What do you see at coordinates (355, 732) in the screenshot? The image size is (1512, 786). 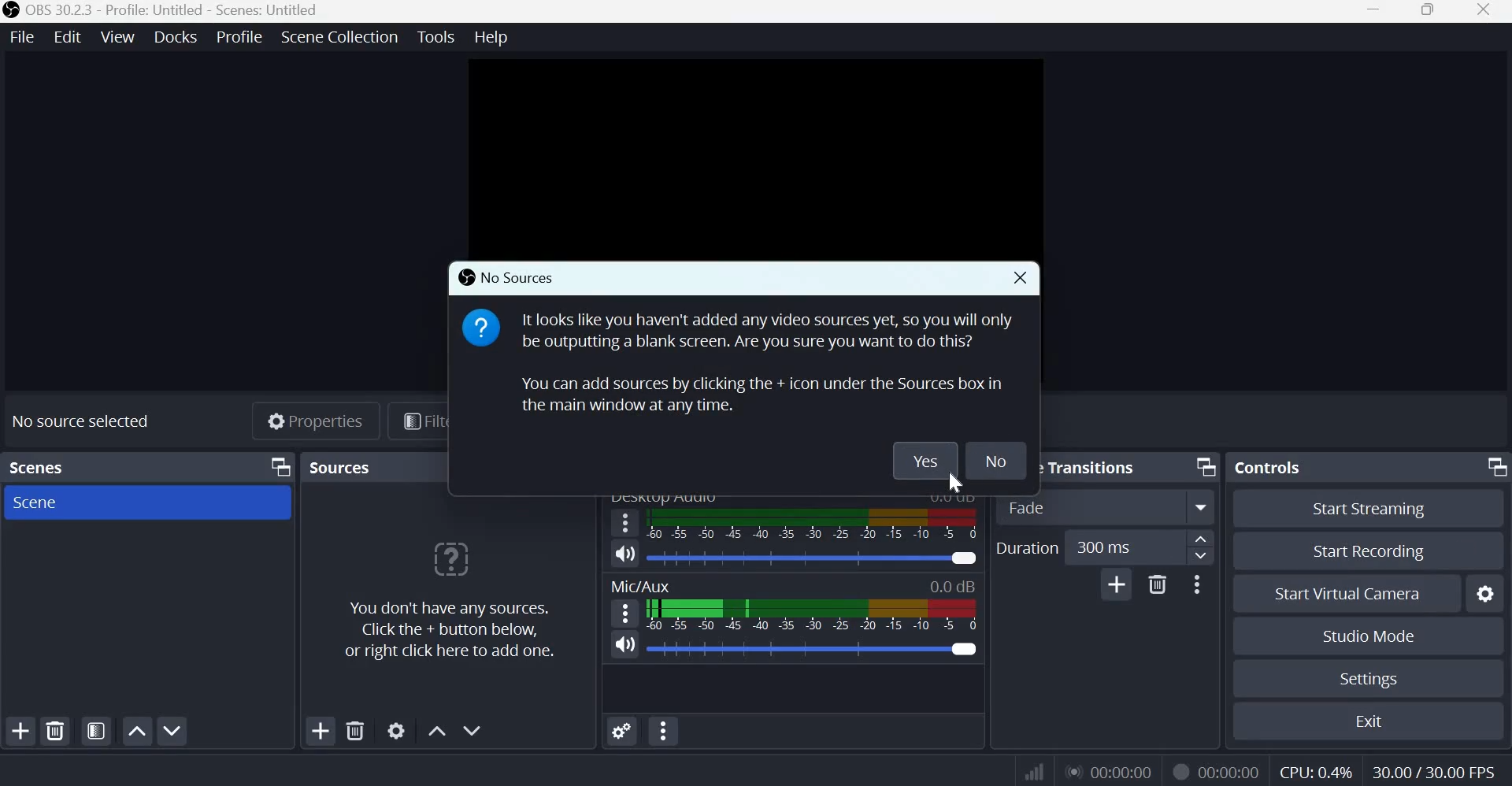 I see `Deleted selected source(s)` at bounding box center [355, 732].